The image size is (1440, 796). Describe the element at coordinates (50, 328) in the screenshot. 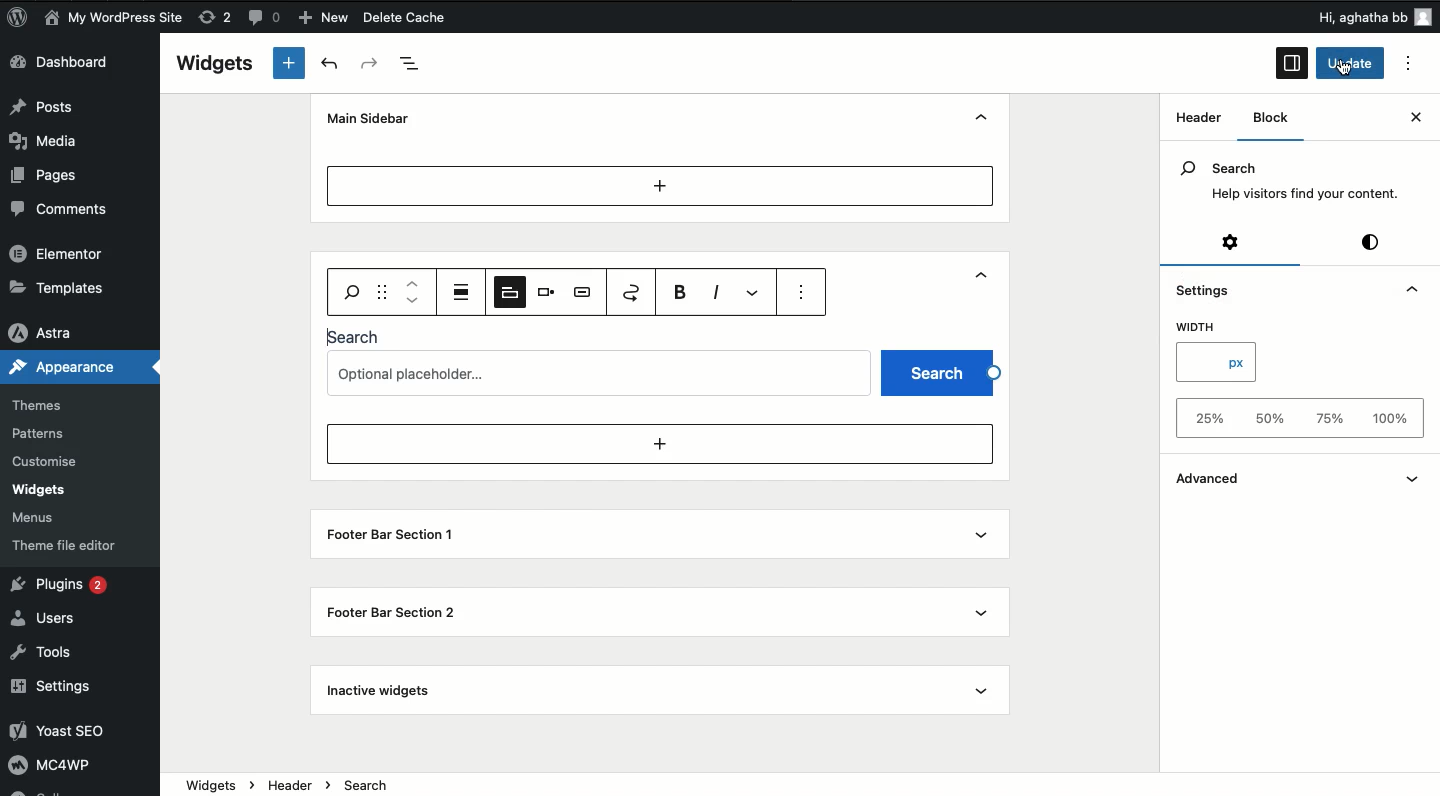

I see `Astra` at that location.